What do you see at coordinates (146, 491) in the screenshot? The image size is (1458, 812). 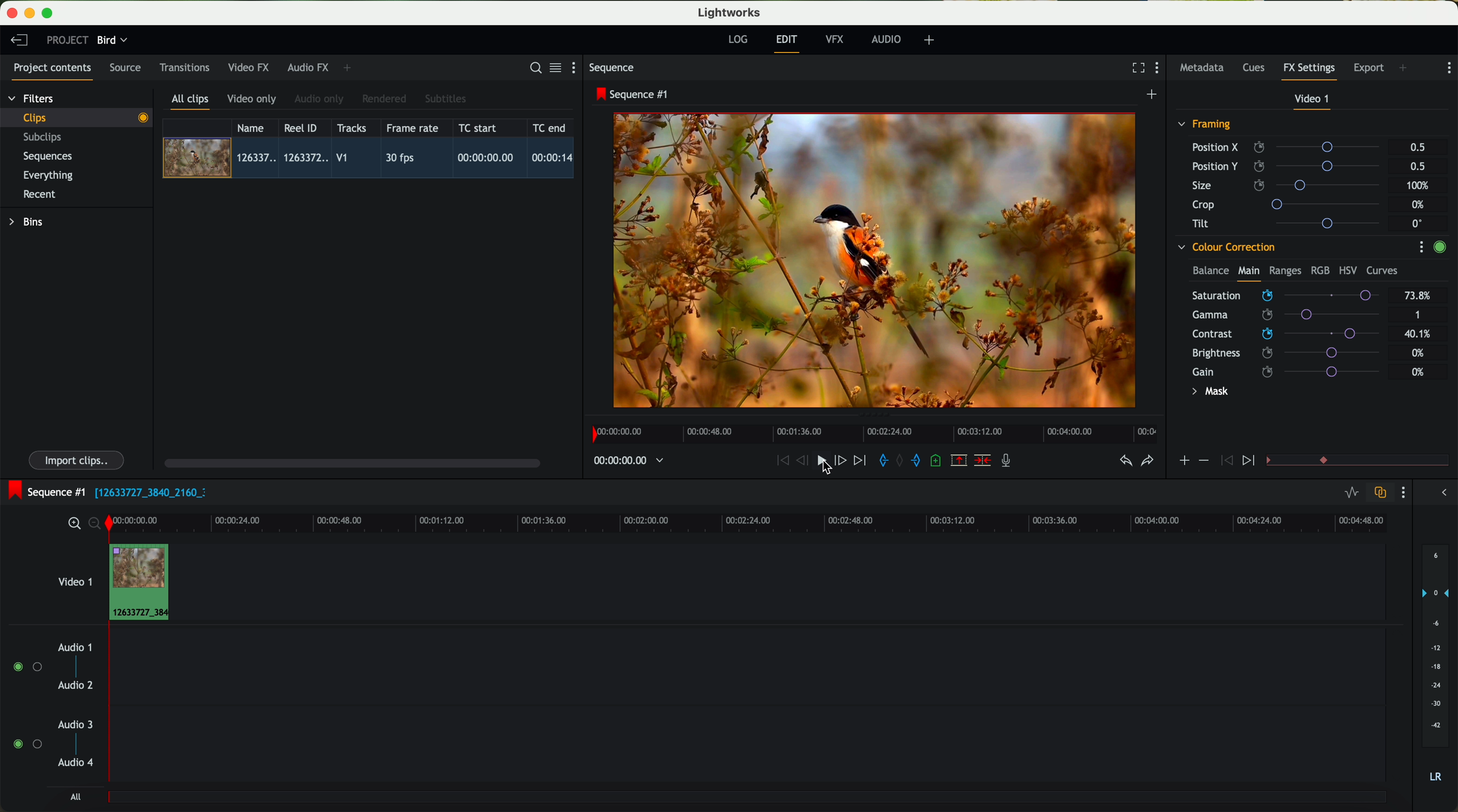 I see `black` at bounding box center [146, 491].